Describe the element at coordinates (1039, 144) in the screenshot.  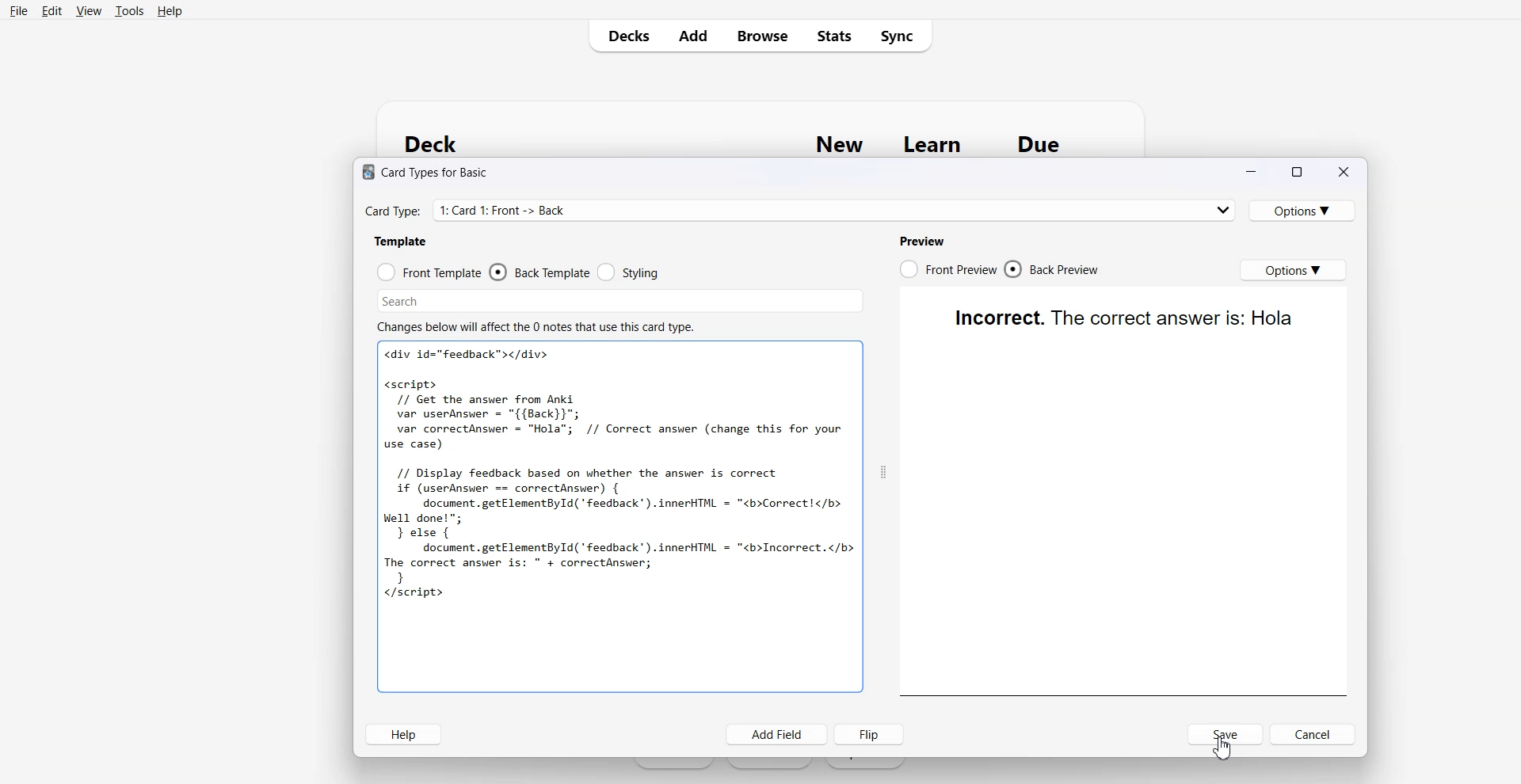
I see `Due` at that location.